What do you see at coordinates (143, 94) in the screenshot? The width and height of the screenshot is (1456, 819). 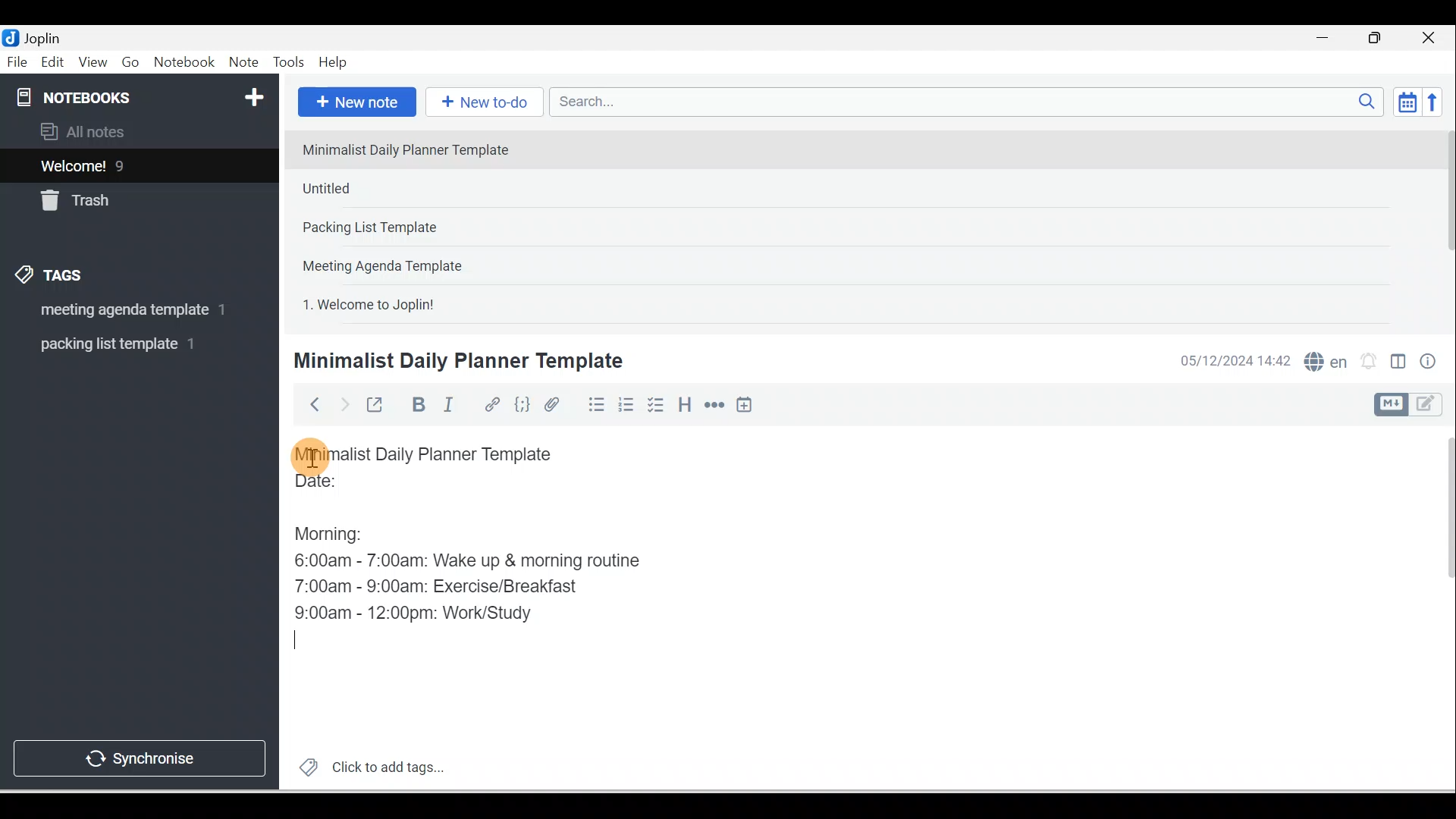 I see `Notebooks` at bounding box center [143, 94].